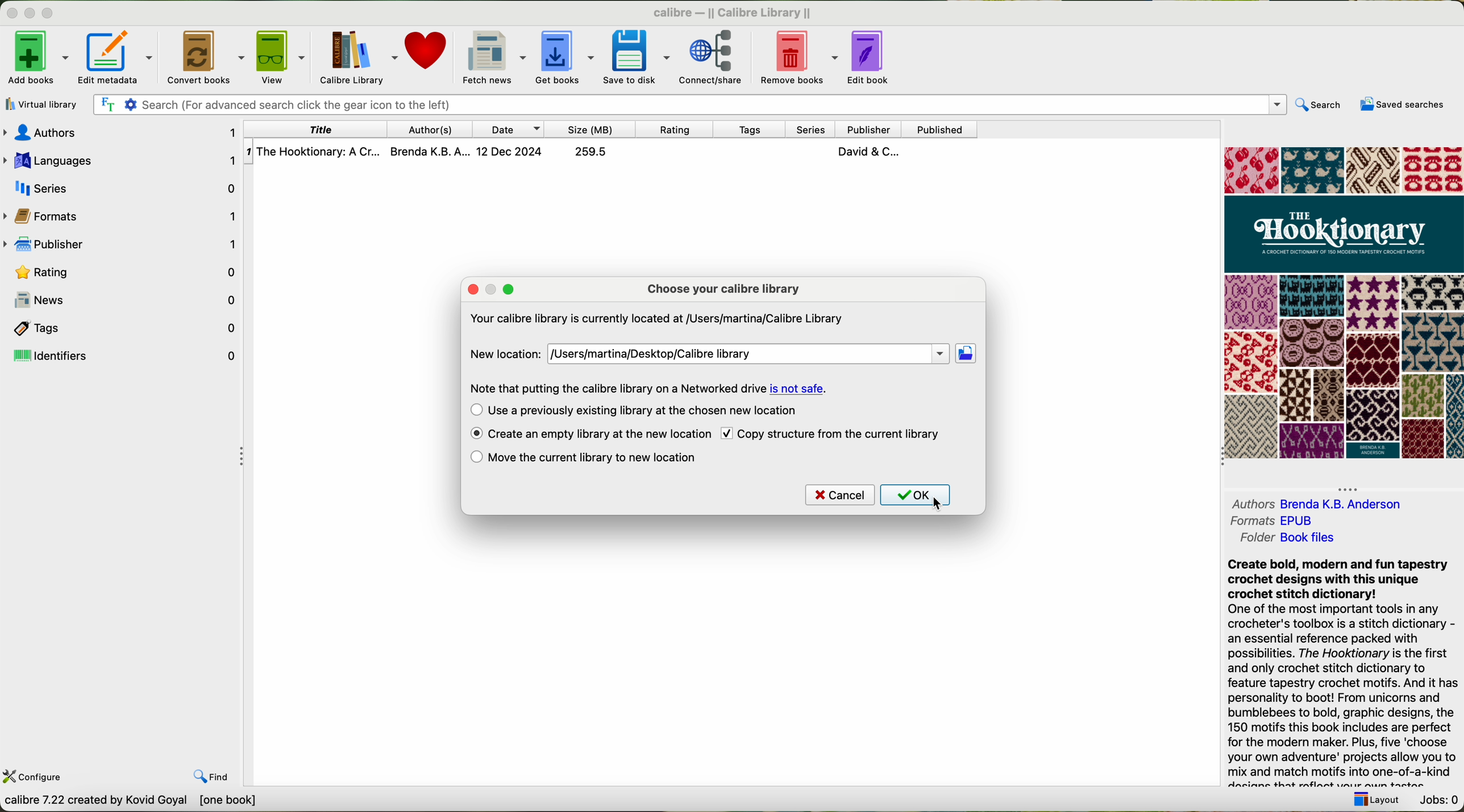 The image size is (1464, 812). Describe the element at coordinates (515, 128) in the screenshot. I see `date` at that location.